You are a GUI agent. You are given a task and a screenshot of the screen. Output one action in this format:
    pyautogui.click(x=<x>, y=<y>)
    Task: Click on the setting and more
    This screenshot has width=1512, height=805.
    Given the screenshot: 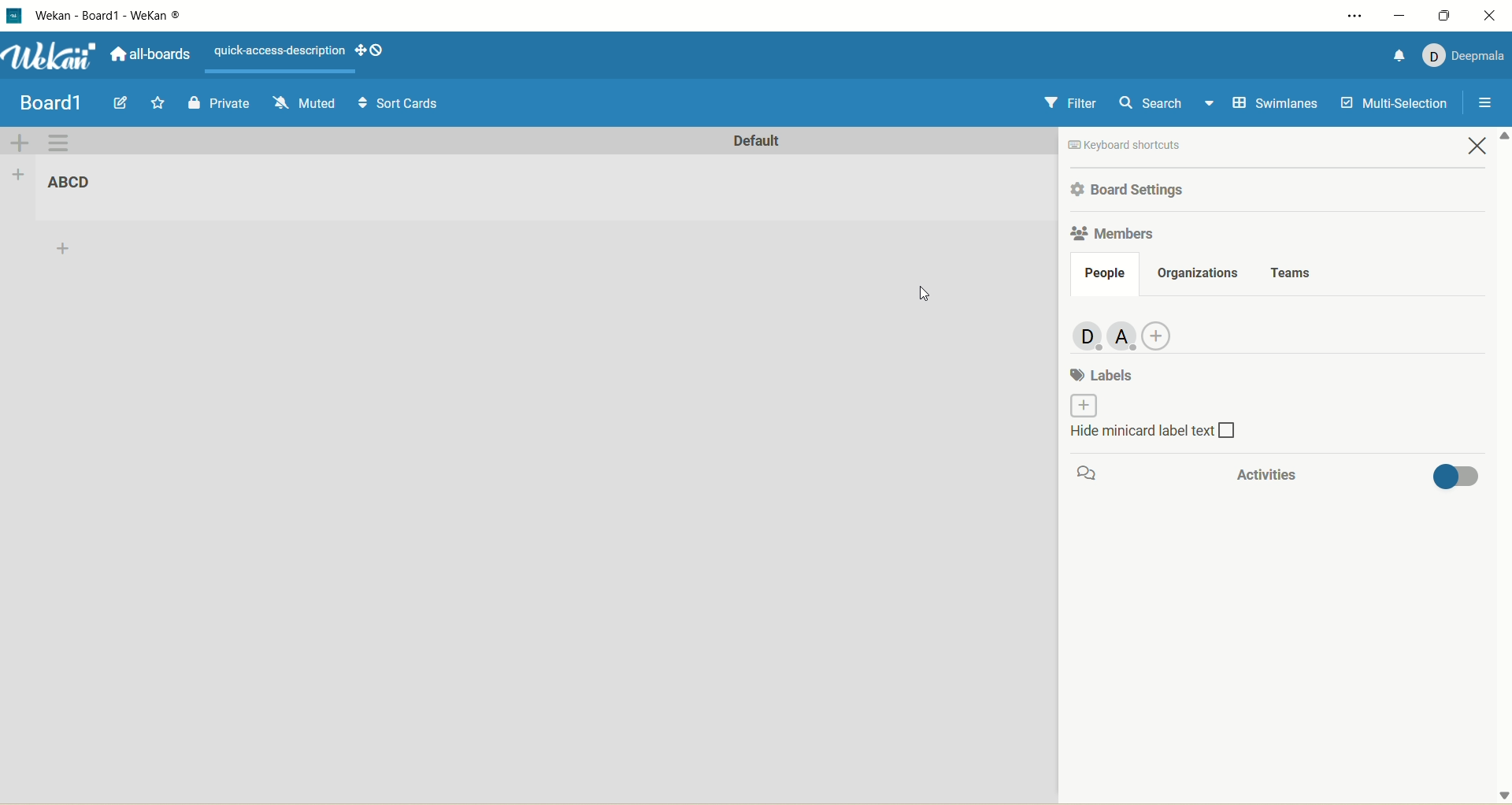 What is the action you would take?
    pyautogui.click(x=1348, y=13)
    